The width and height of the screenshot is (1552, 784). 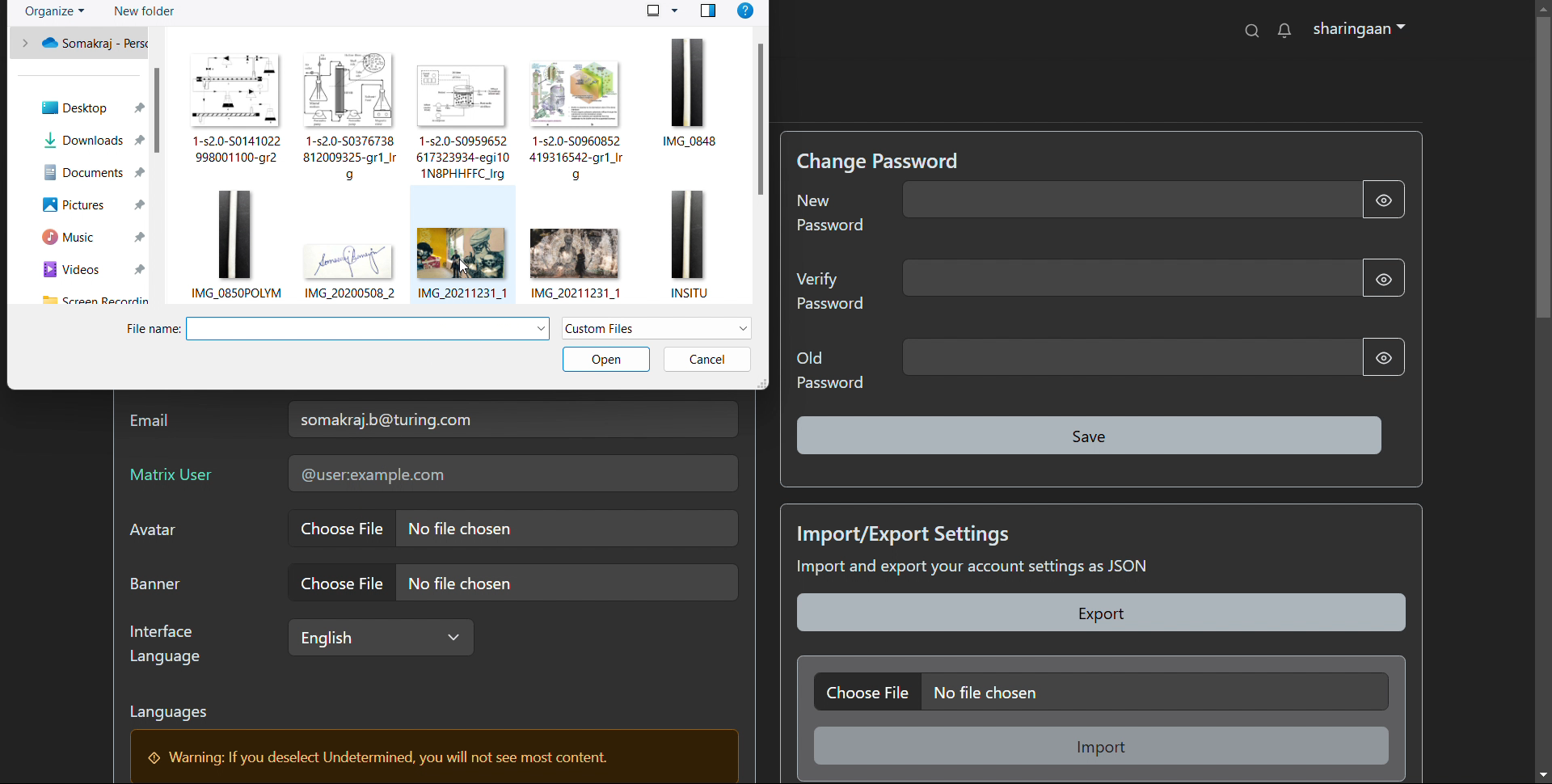 What do you see at coordinates (708, 11) in the screenshot?
I see `preview pane` at bounding box center [708, 11].